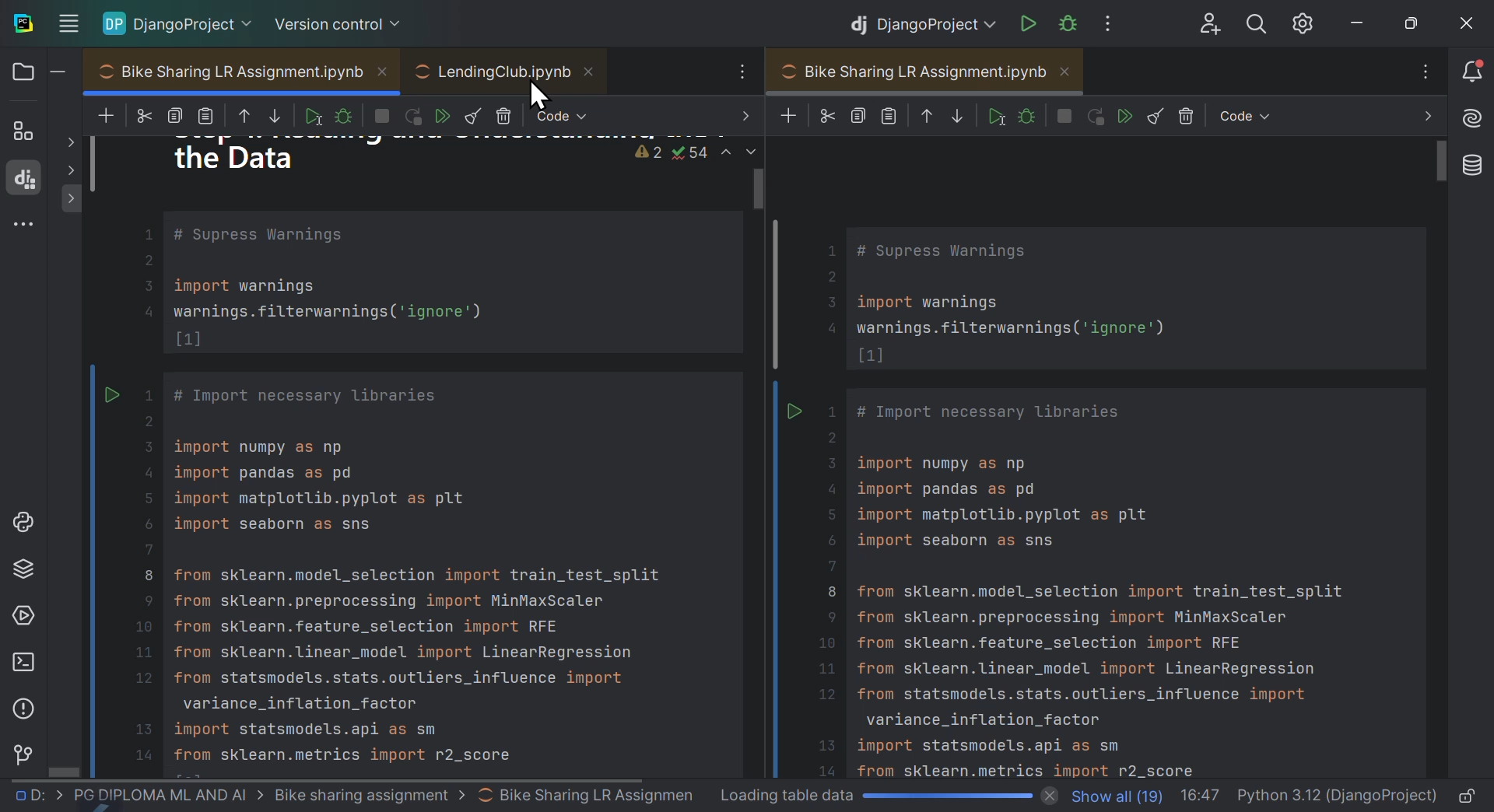  What do you see at coordinates (30, 514) in the screenshot?
I see `Python lab` at bounding box center [30, 514].